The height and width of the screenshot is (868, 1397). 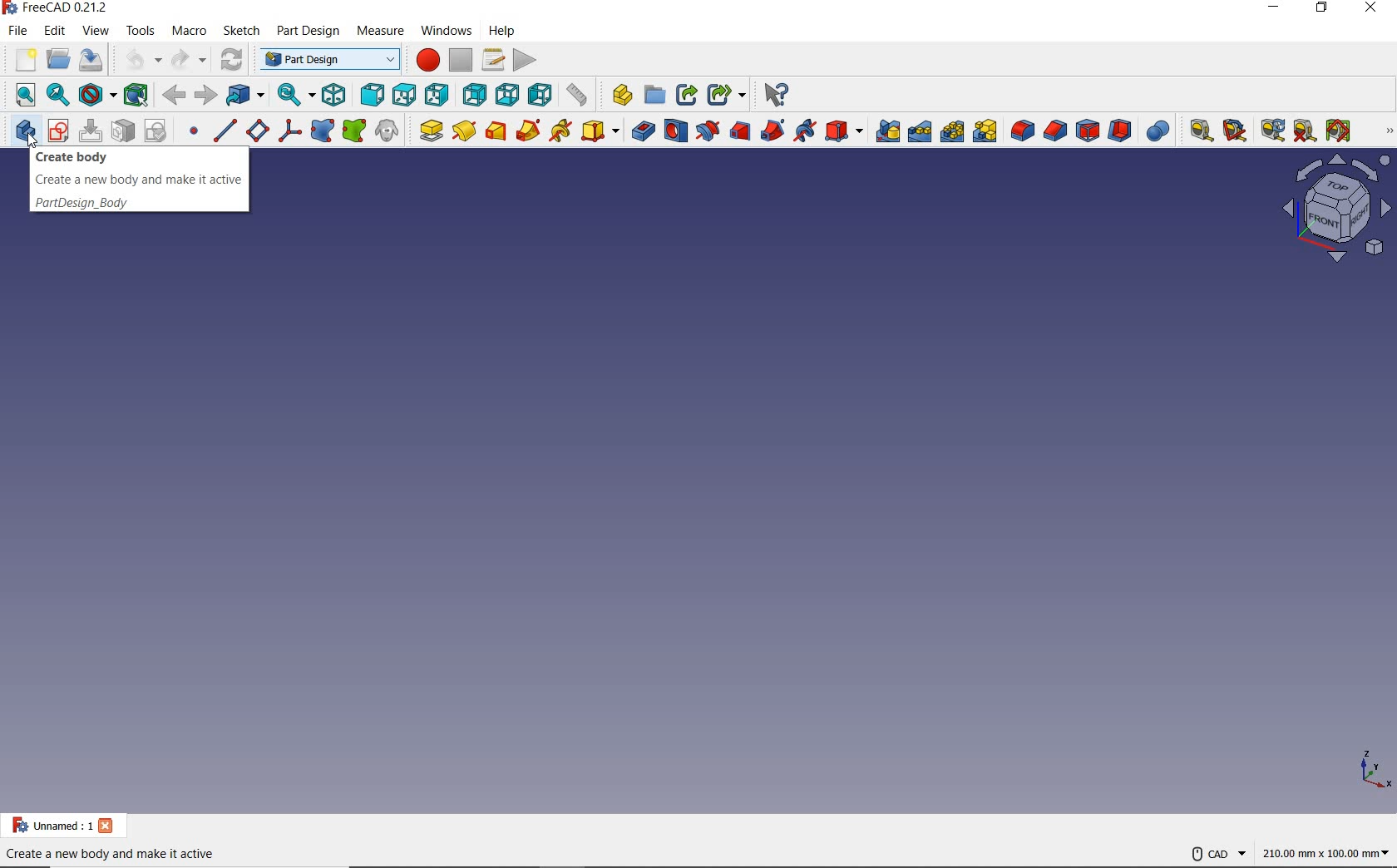 What do you see at coordinates (323, 131) in the screenshot?
I see `CREATE A SHAPE BINDER` at bounding box center [323, 131].